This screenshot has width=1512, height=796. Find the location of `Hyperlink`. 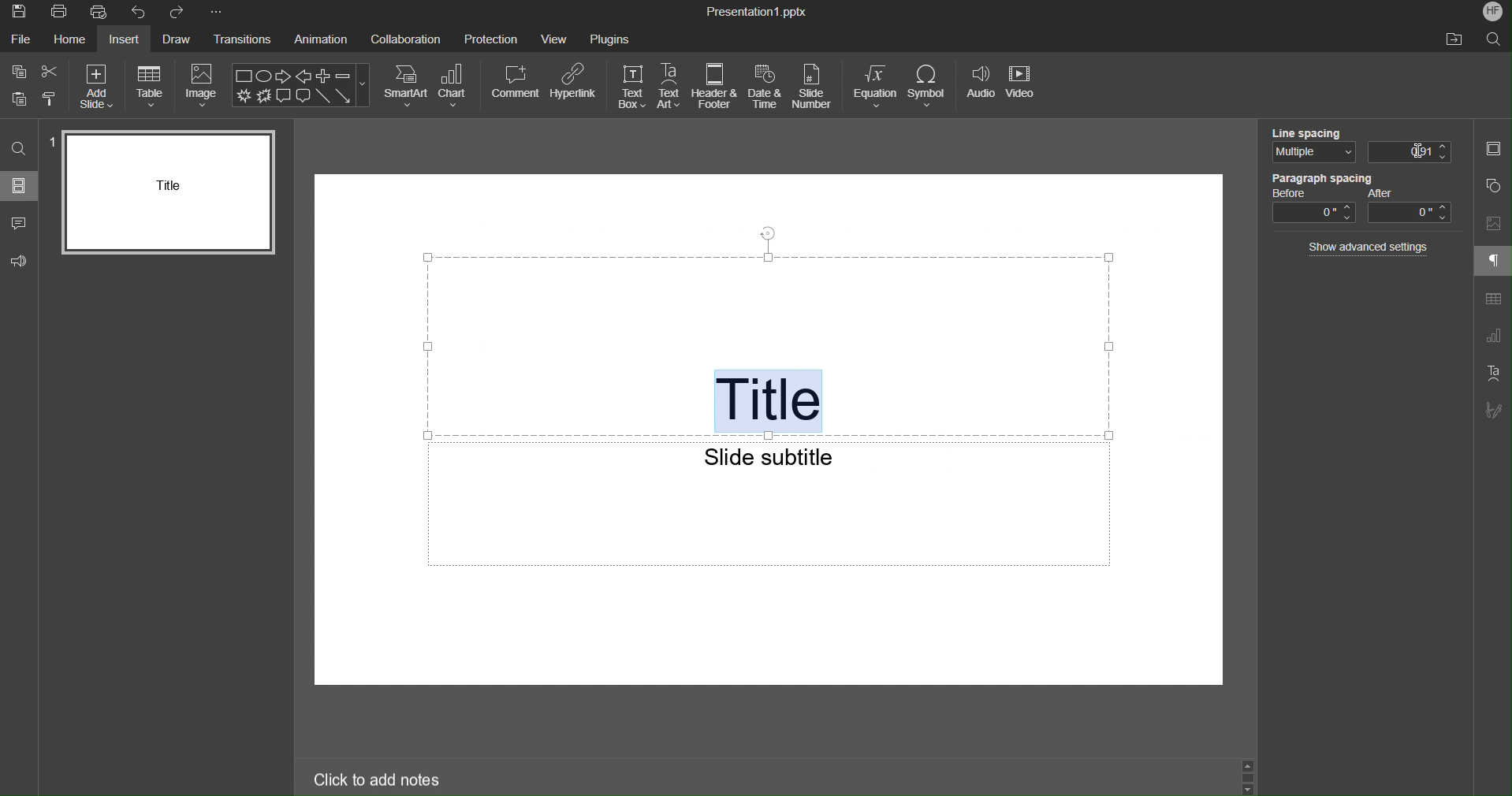

Hyperlink is located at coordinates (575, 84).